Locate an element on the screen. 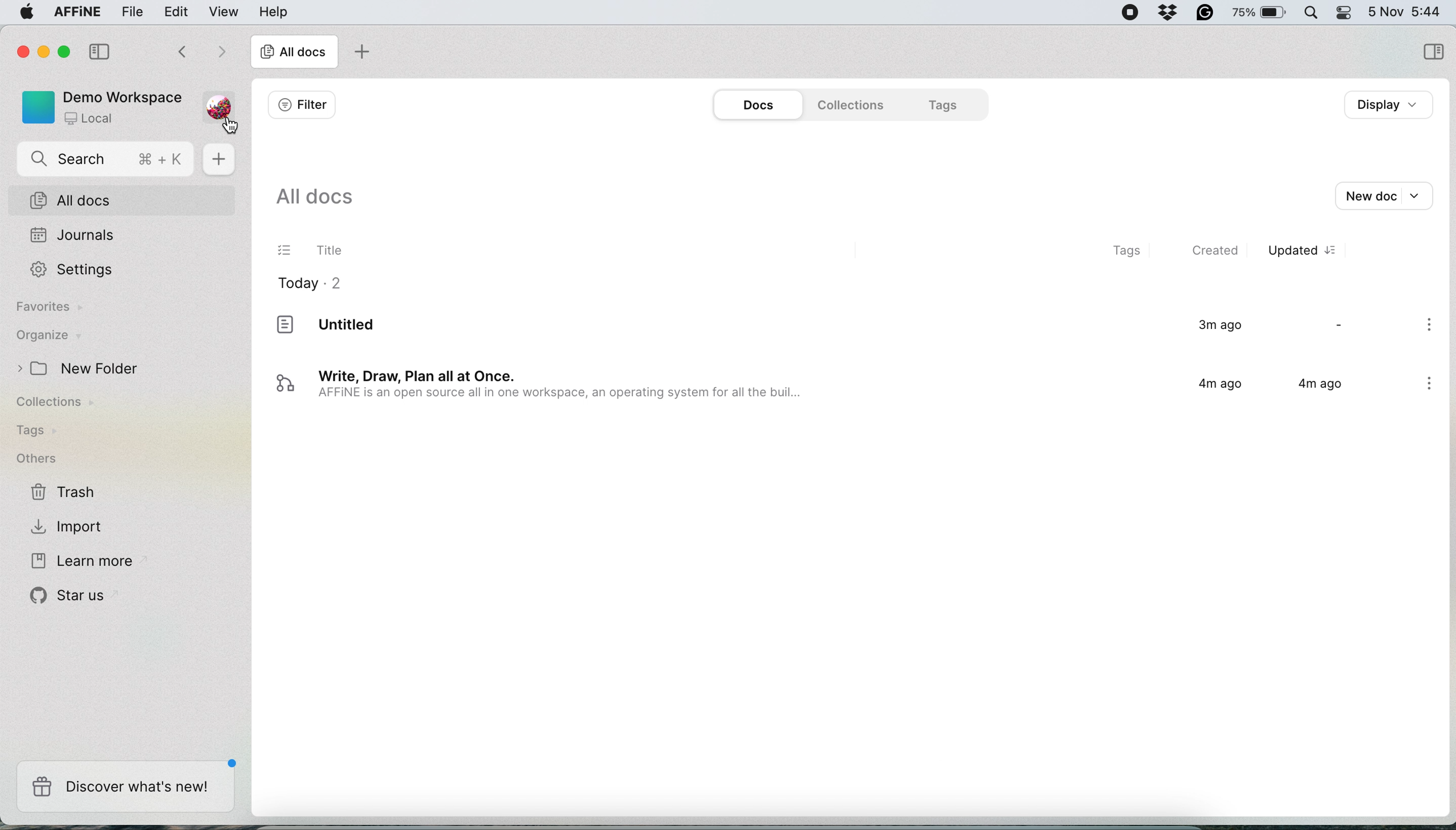  today is located at coordinates (309, 287).